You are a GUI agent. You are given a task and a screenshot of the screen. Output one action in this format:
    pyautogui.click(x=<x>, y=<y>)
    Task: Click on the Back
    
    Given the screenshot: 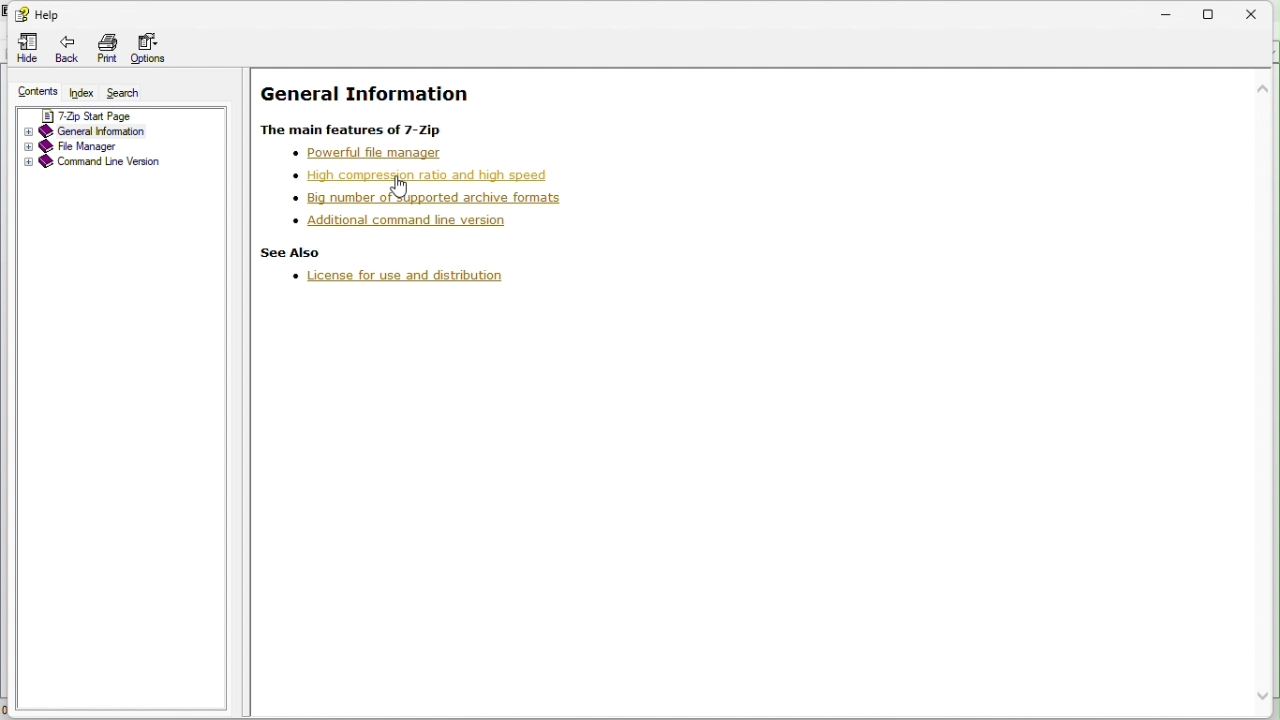 What is the action you would take?
    pyautogui.click(x=64, y=50)
    